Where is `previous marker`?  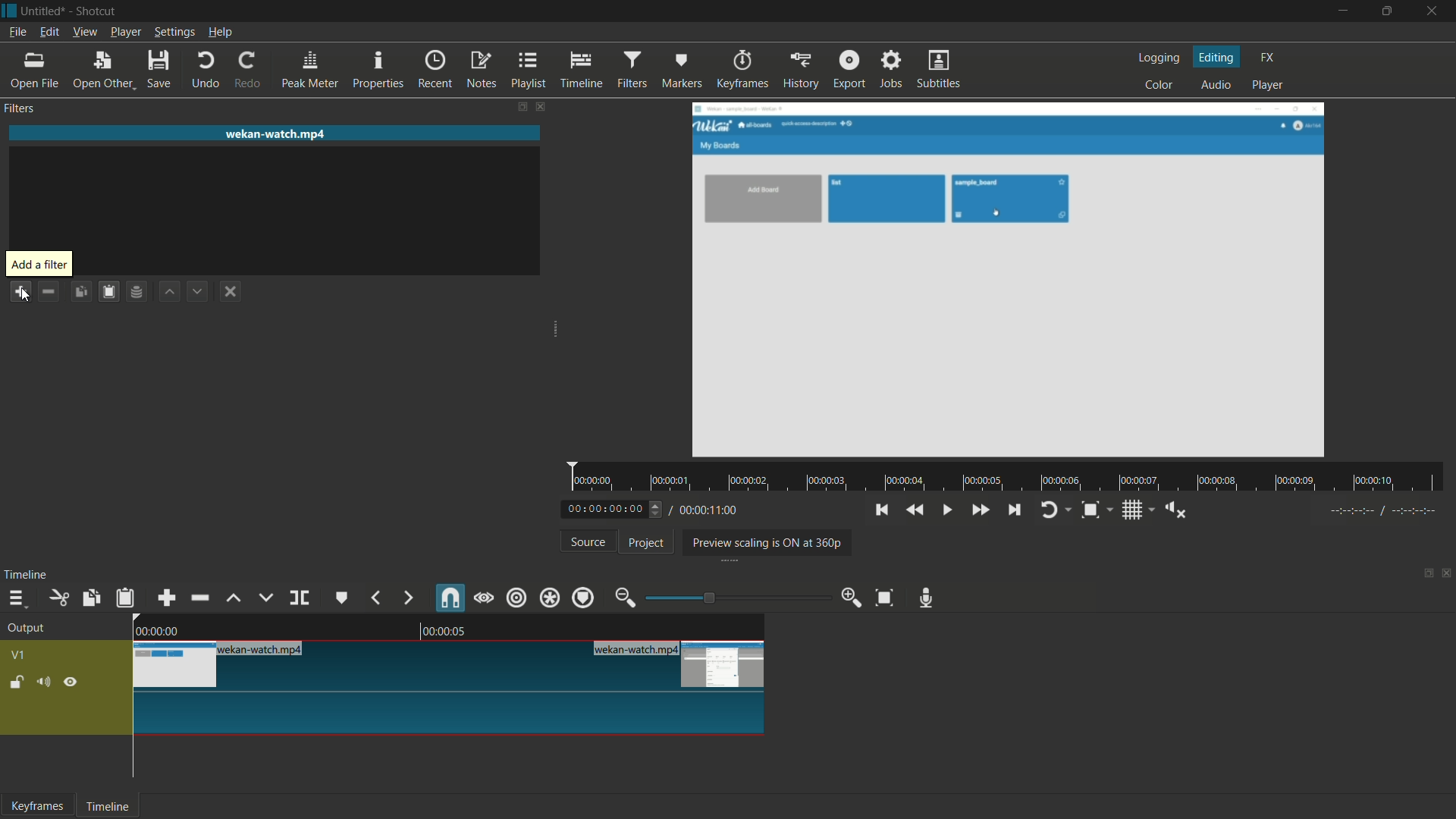 previous marker is located at coordinates (374, 598).